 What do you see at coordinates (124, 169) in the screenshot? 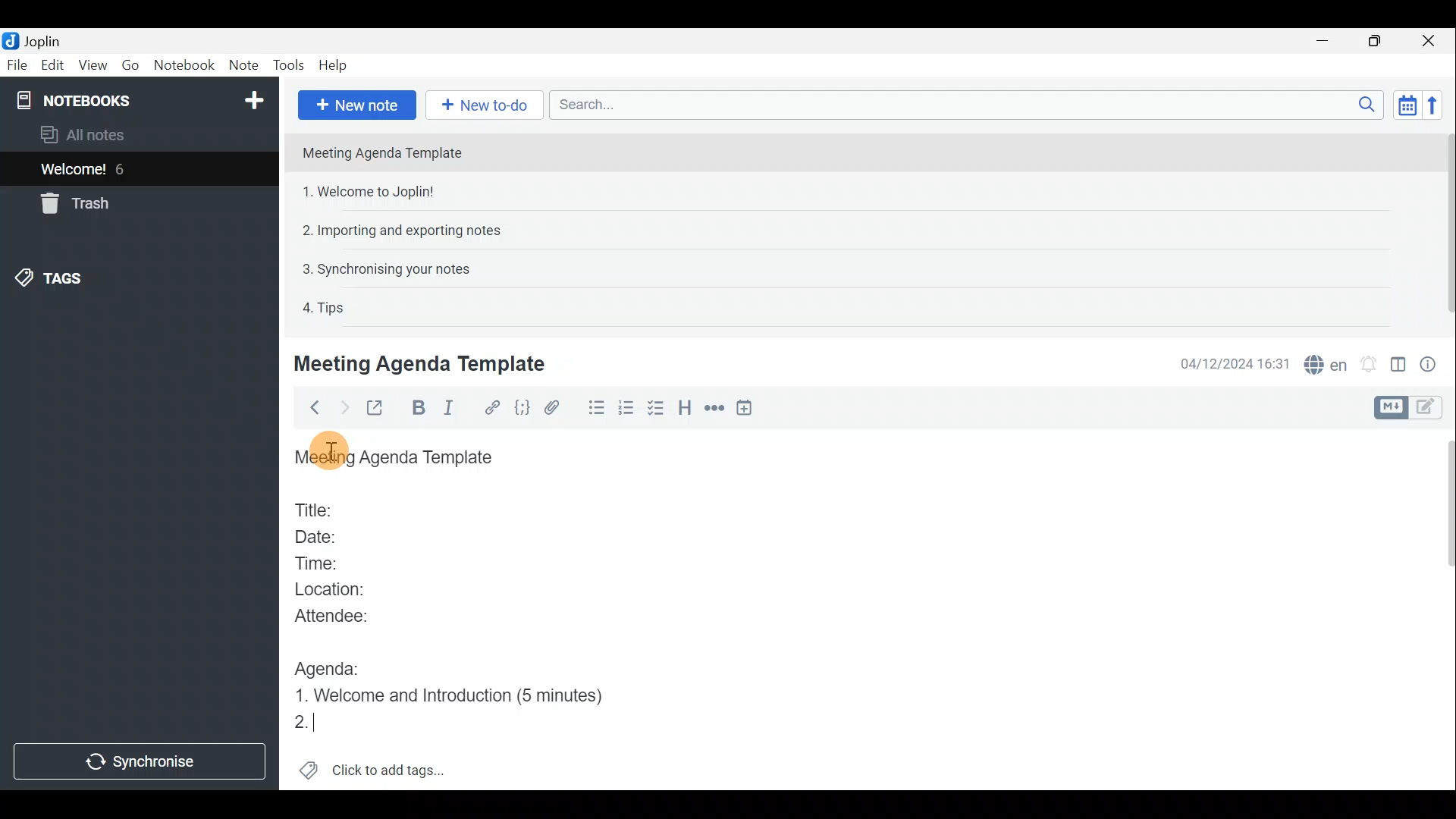
I see `6` at bounding box center [124, 169].